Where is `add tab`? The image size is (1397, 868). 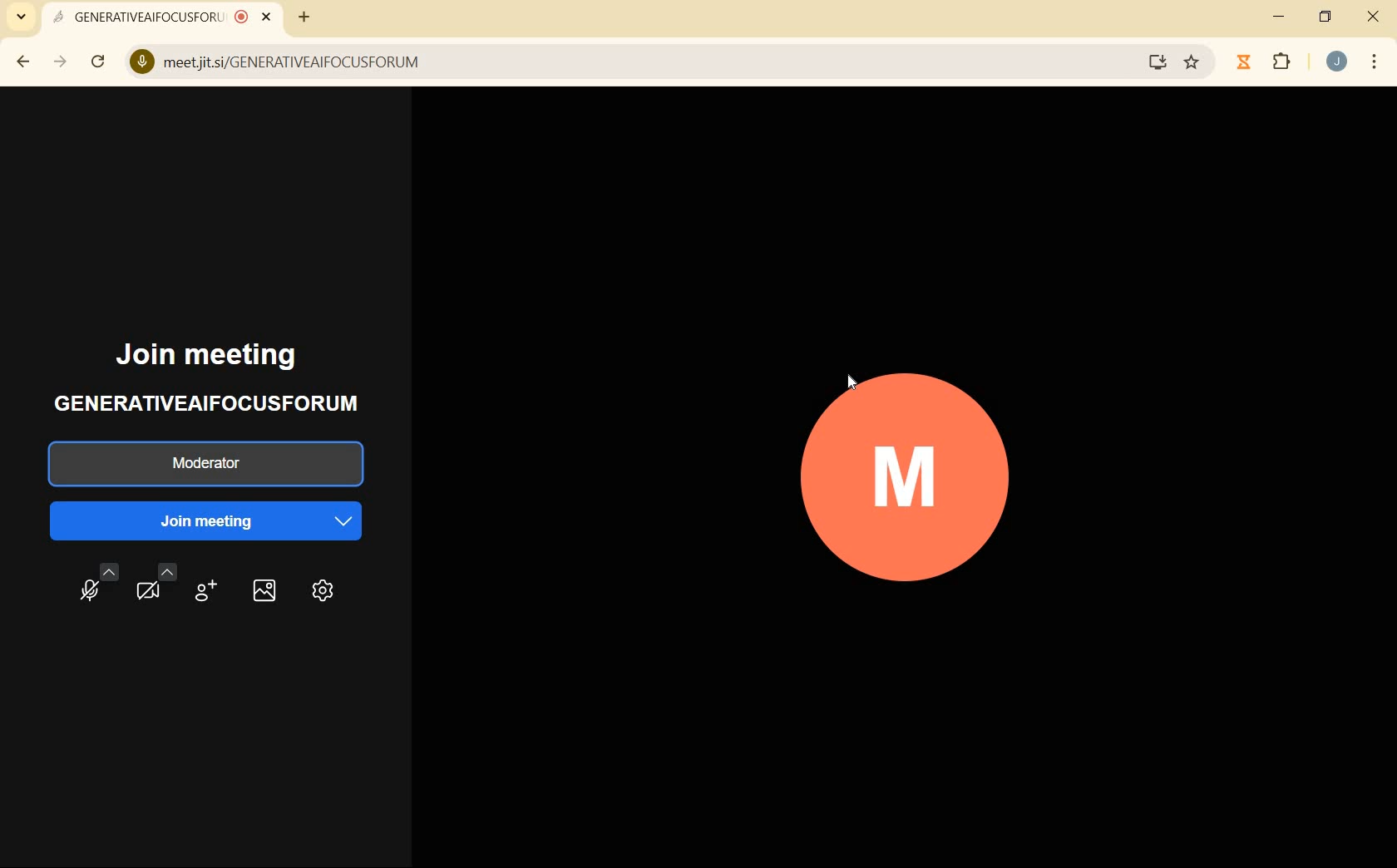
add tab is located at coordinates (304, 20).